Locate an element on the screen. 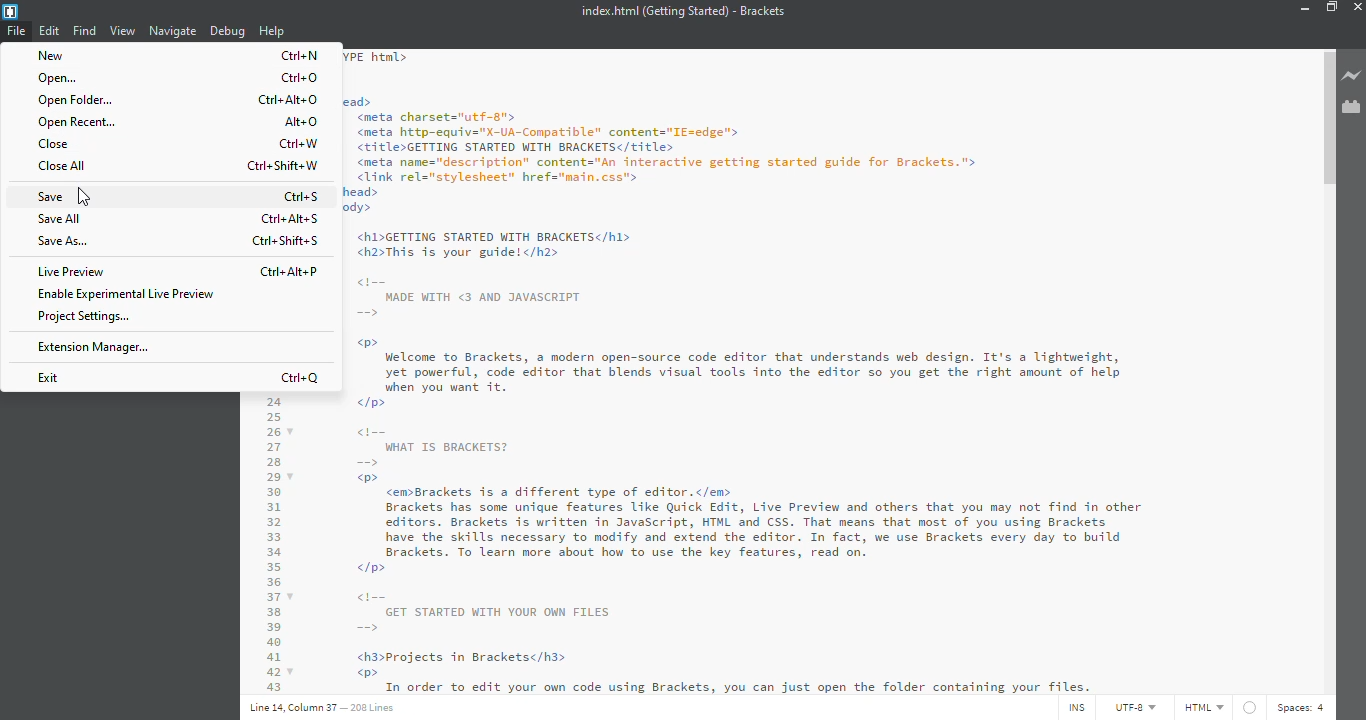  spaces: 4 is located at coordinates (1300, 707).